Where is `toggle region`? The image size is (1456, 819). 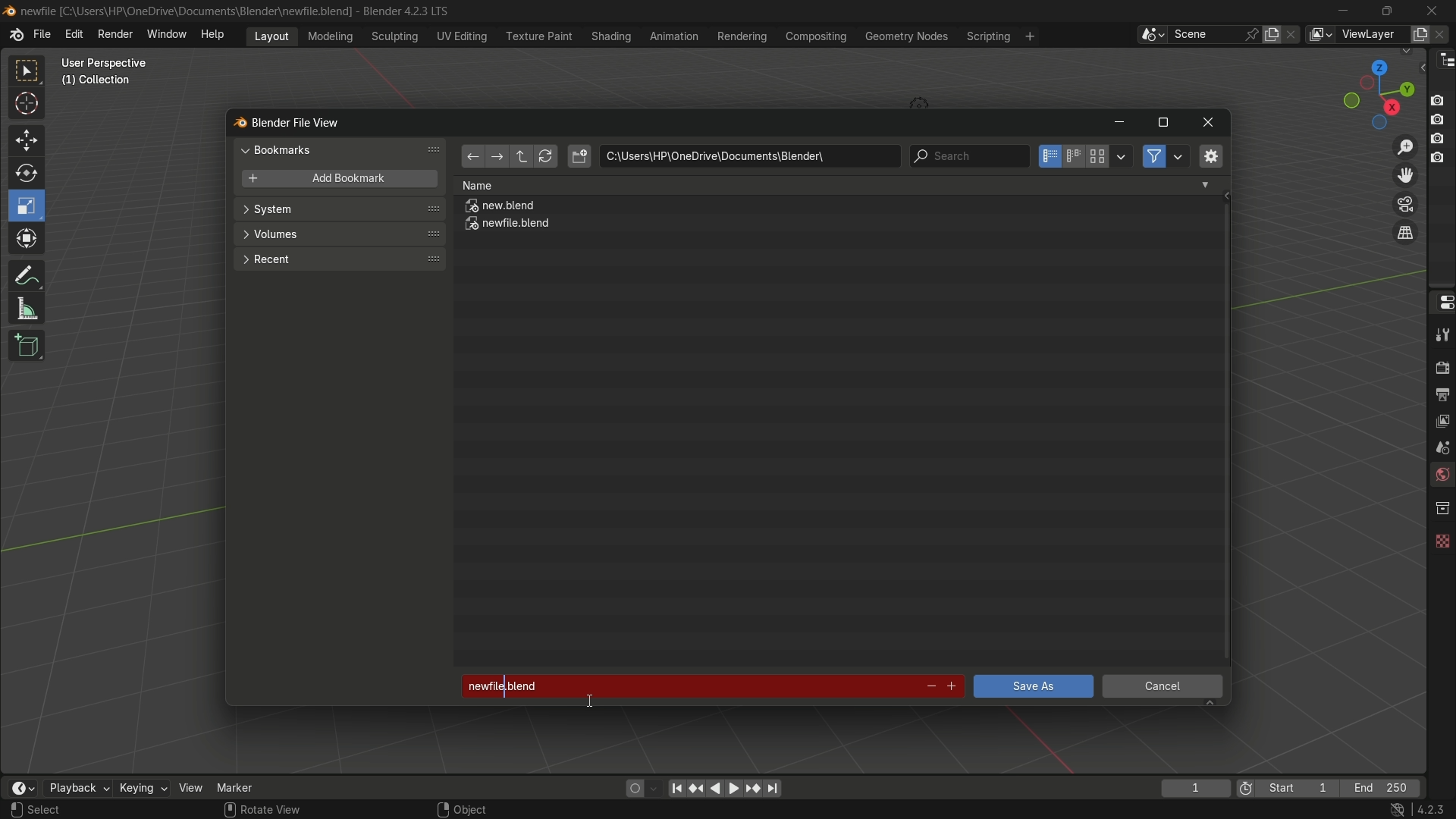
toggle region is located at coordinates (1210, 155).